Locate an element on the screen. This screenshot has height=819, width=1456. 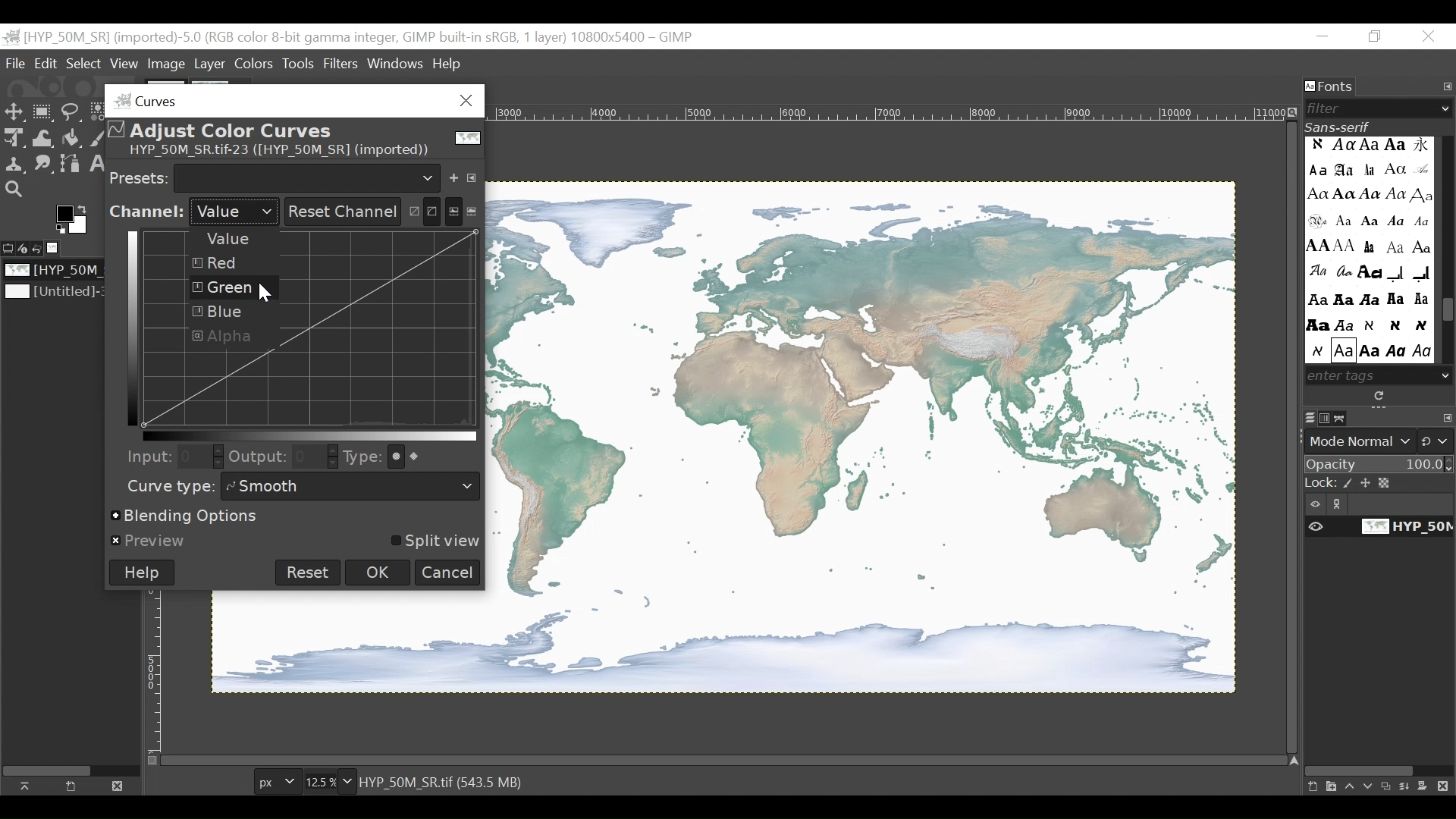
Field is located at coordinates (316, 457).